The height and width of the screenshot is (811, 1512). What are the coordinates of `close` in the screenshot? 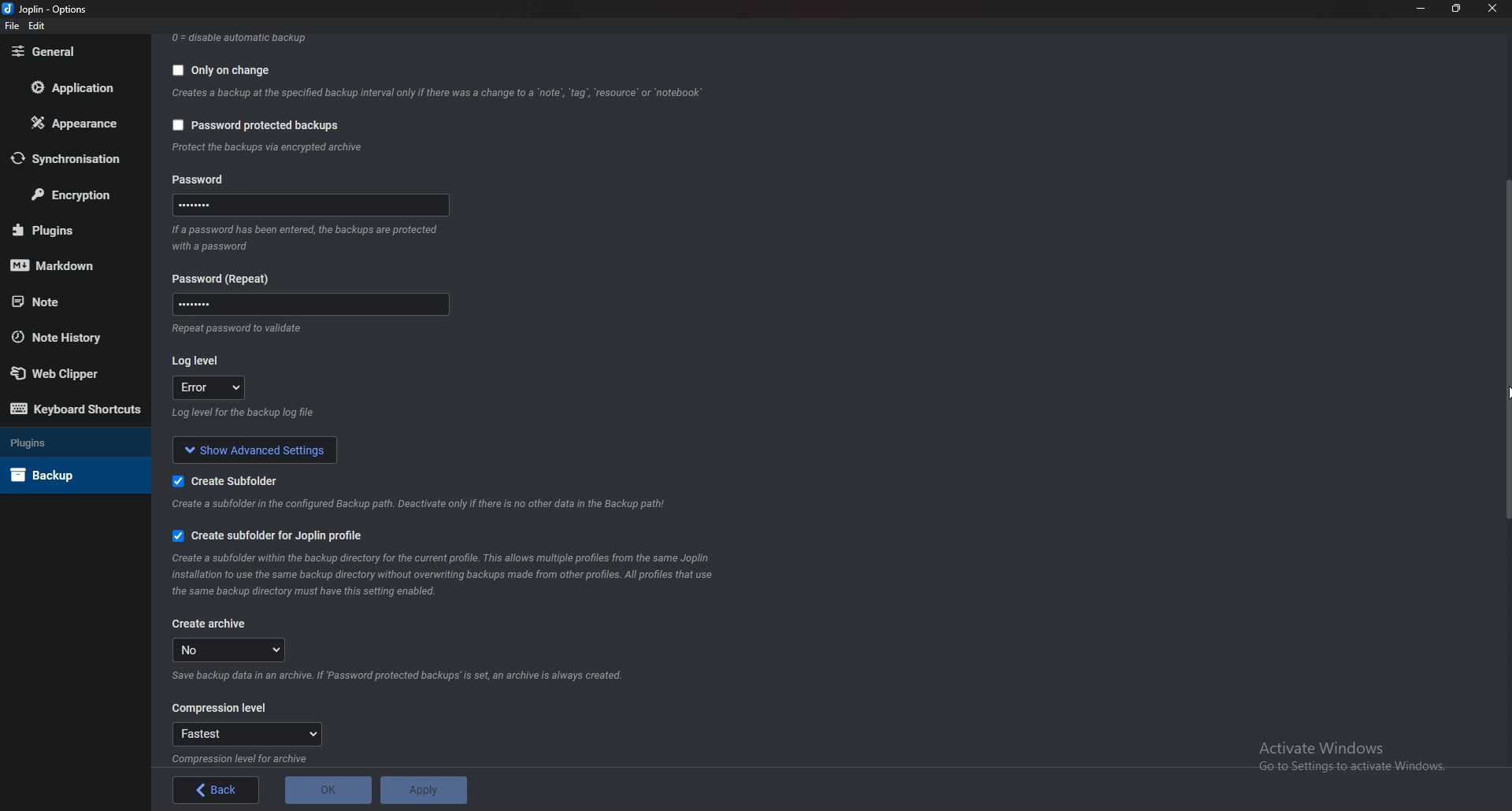 It's located at (1495, 8).